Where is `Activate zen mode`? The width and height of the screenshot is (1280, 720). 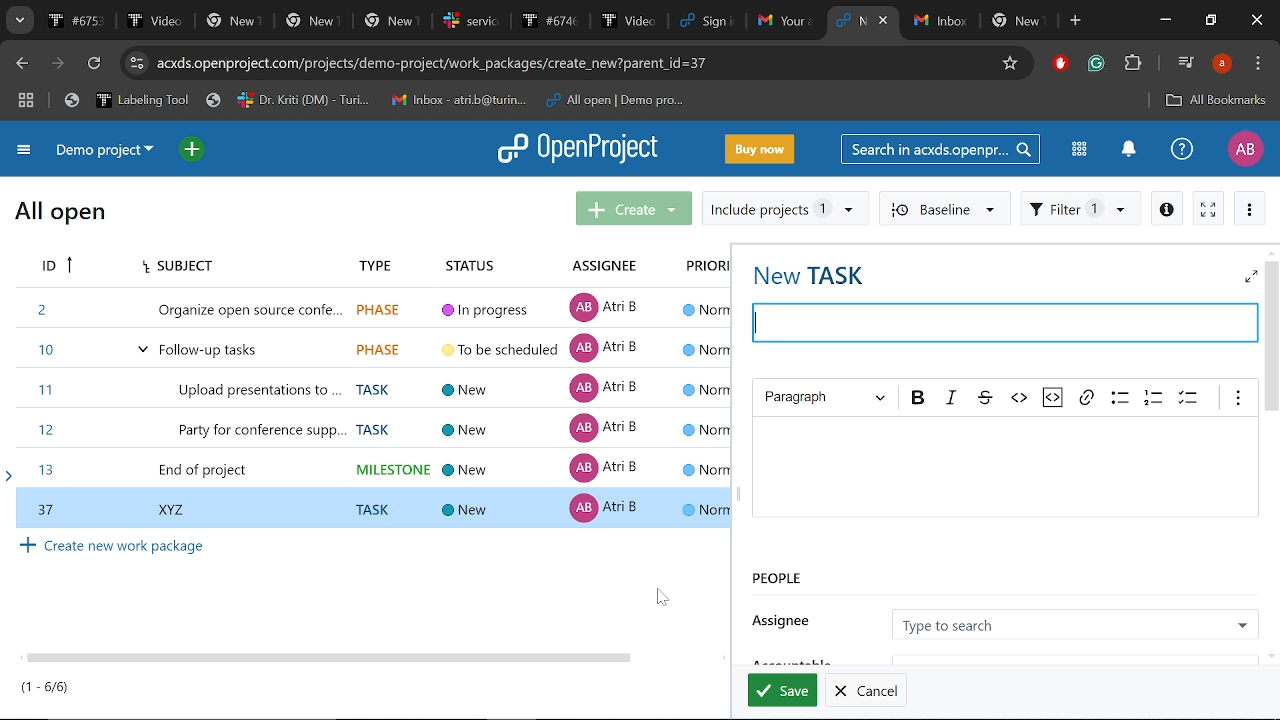 Activate zen mode is located at coordinates (1209, 207).